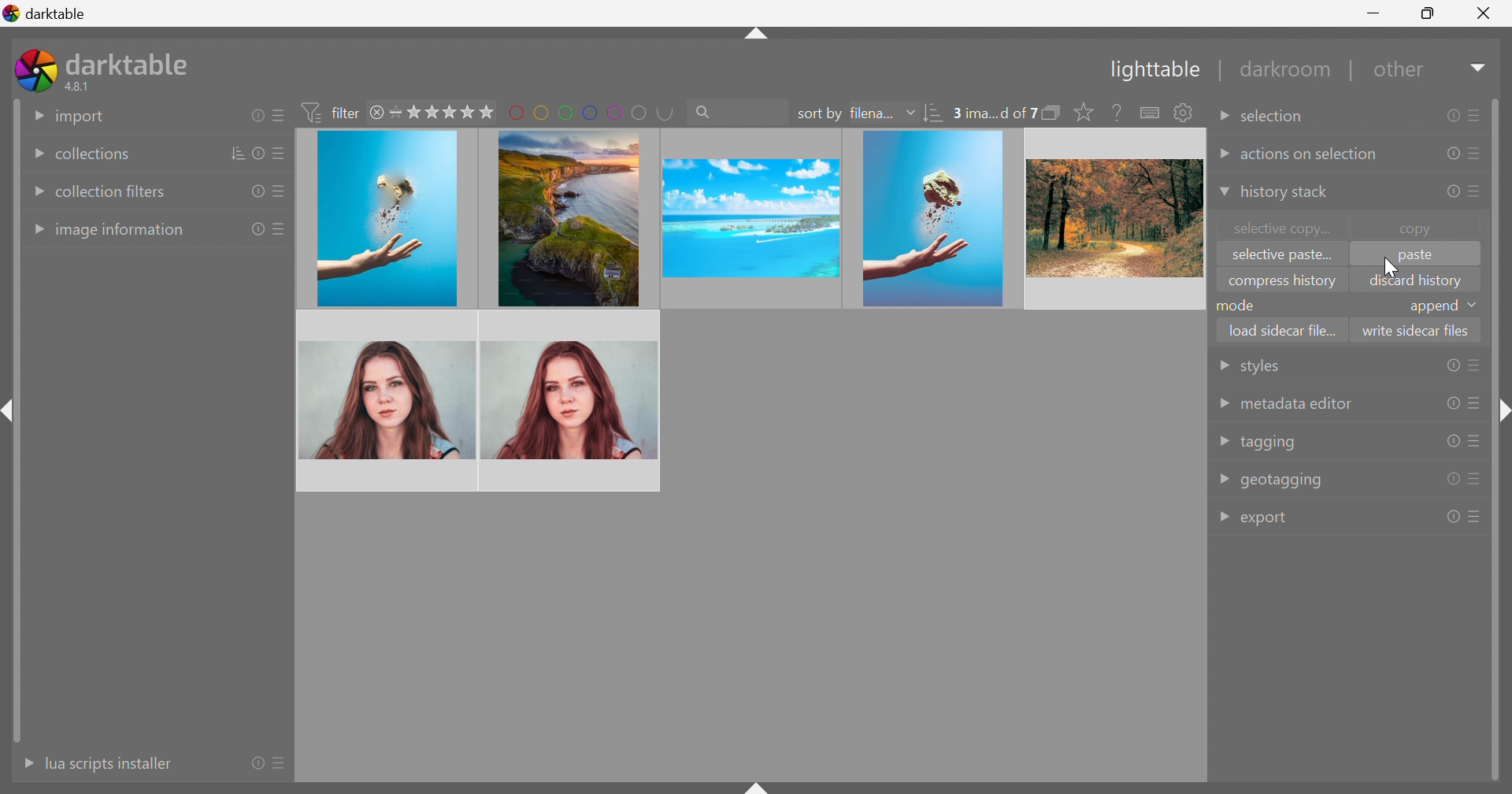 The image size is (1512, 794). Describe the element at coordinates (23, 763) in the screenshot. I see `More` at that location.